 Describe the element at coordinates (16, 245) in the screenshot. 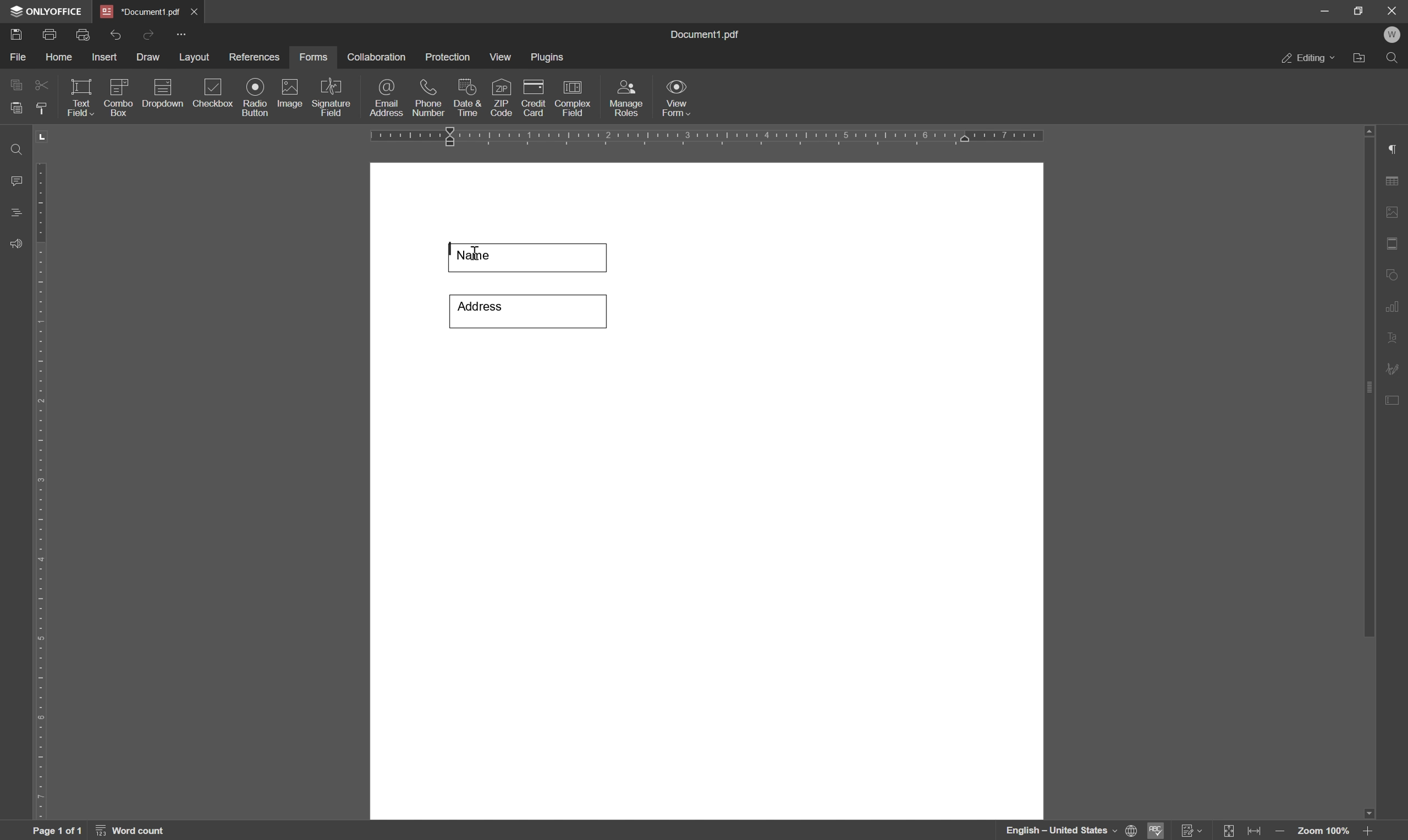

I see `feedback & support` at that location.